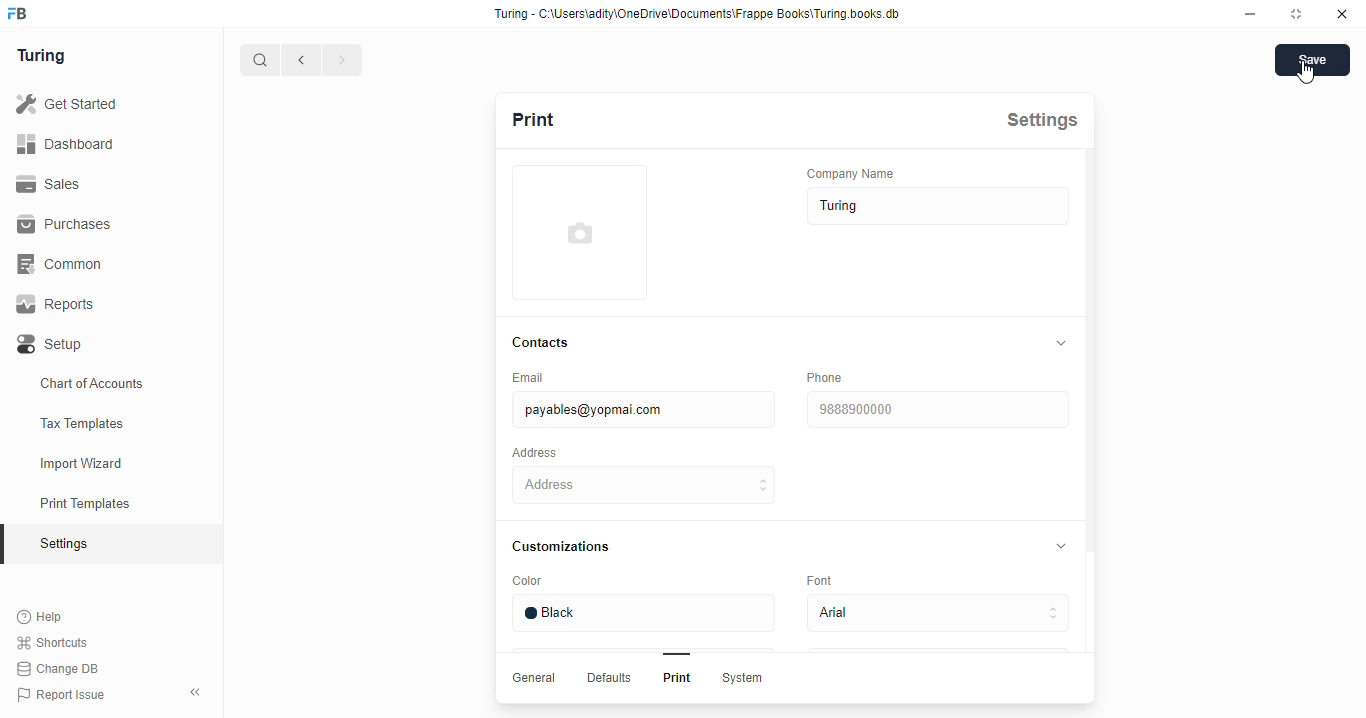 The image size is (1366, 718). What do you see at coordinates (197, 689) in the screenshot?
I see `collapse` at bounding box center [197, 689].